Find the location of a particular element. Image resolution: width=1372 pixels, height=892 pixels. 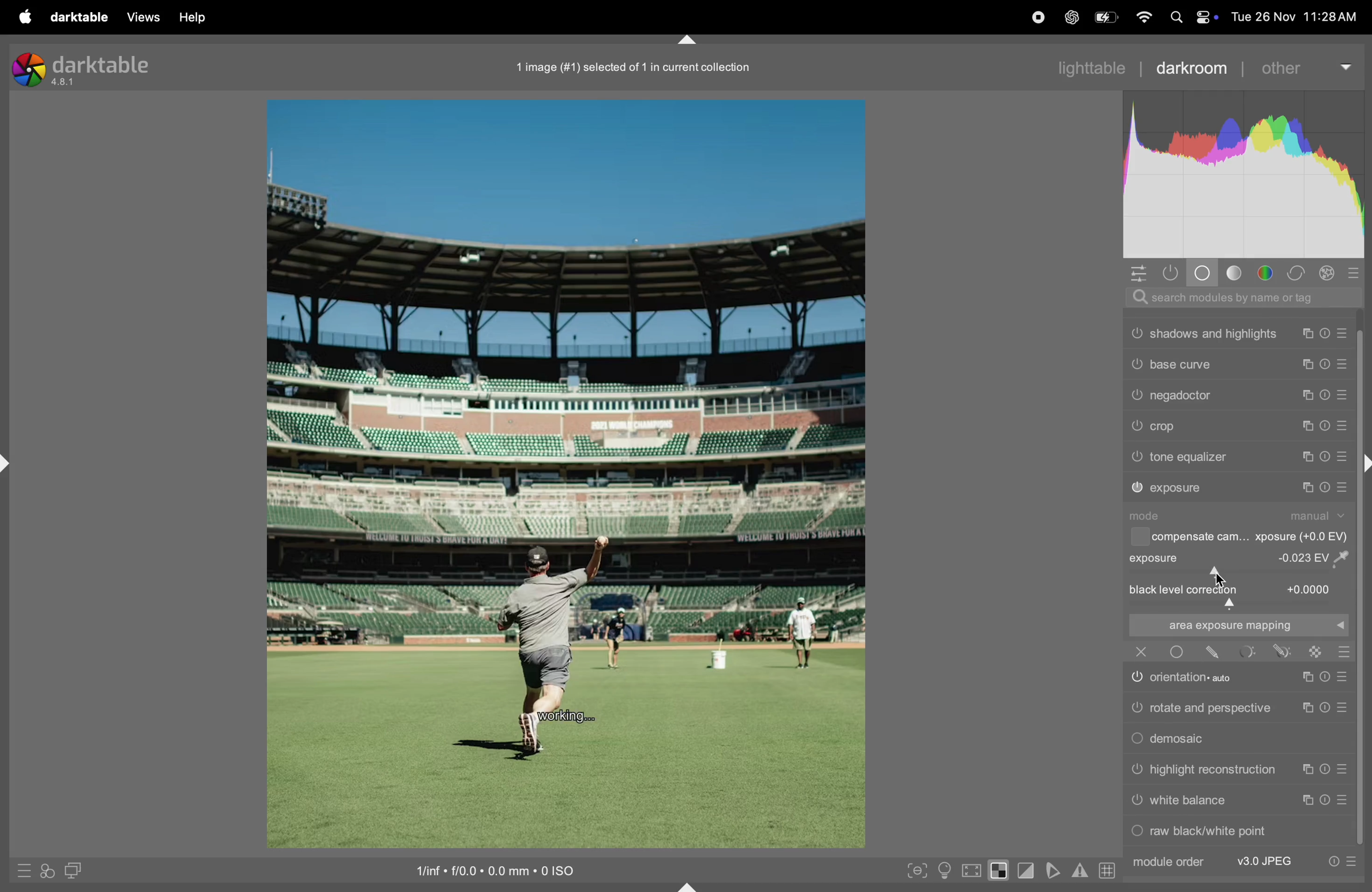

record is located at coordinates (1037, 17).